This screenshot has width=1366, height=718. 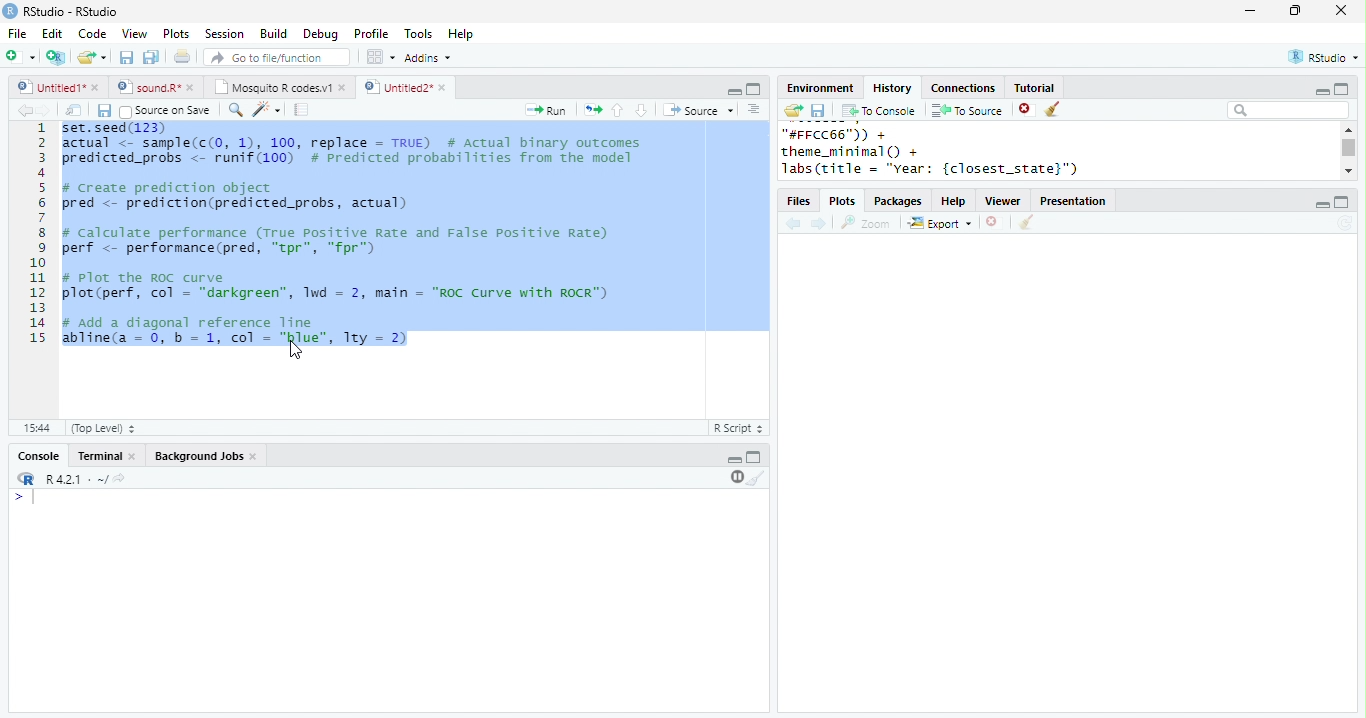 I want to click on Untitled 2, so click(x=397, y=86).